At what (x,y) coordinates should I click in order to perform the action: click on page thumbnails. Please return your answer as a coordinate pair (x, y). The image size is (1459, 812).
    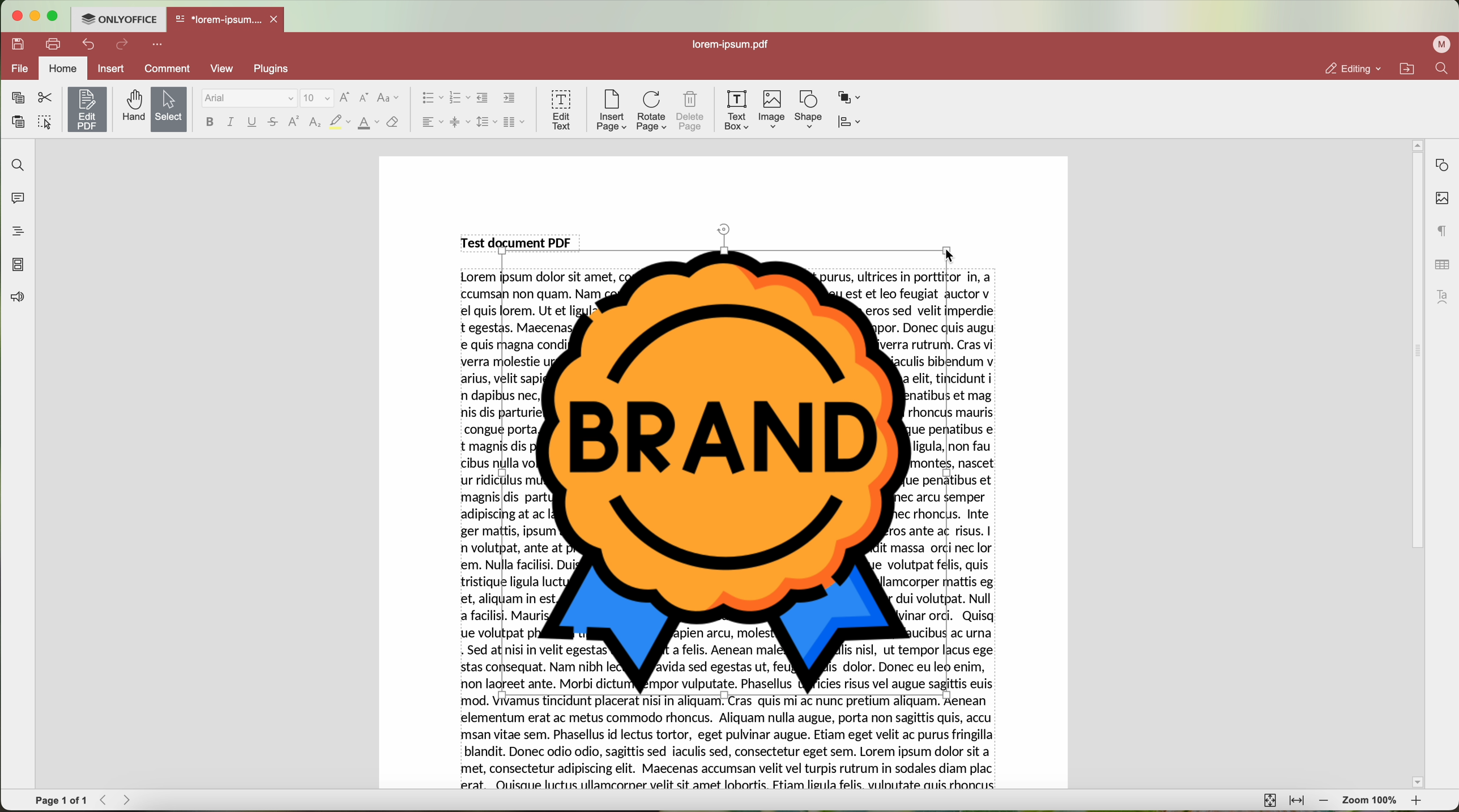
    Looking at the image, I should click on (17, 264).